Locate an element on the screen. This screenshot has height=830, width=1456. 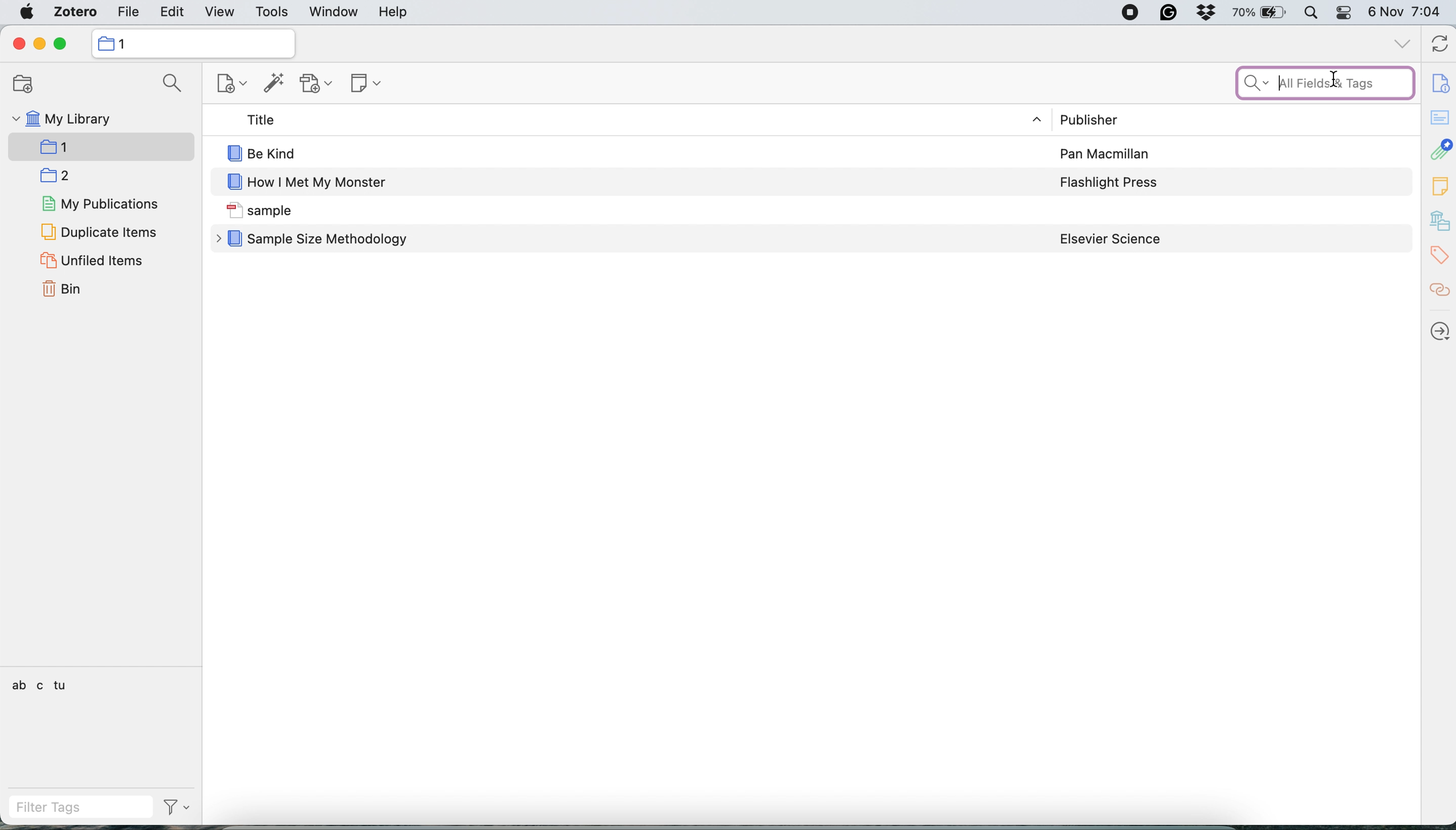
bin is located at coordinates (66, 288).